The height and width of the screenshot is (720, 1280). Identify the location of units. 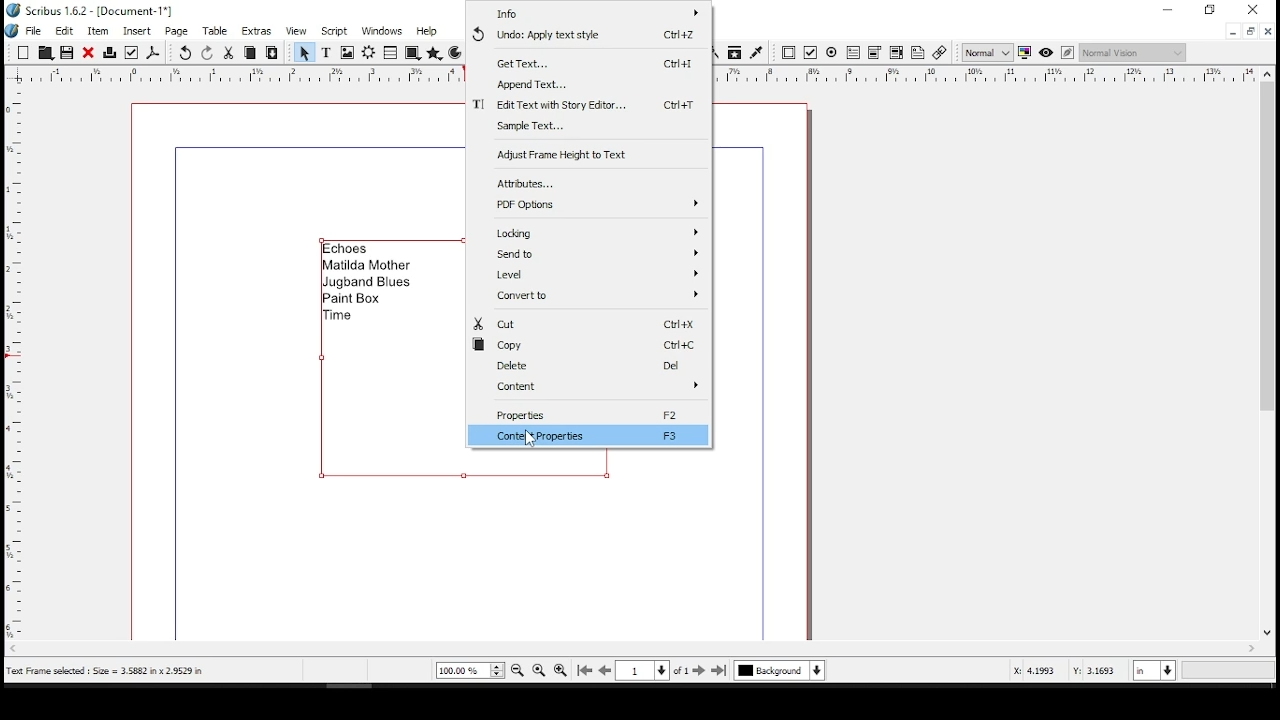
(1152, 672).